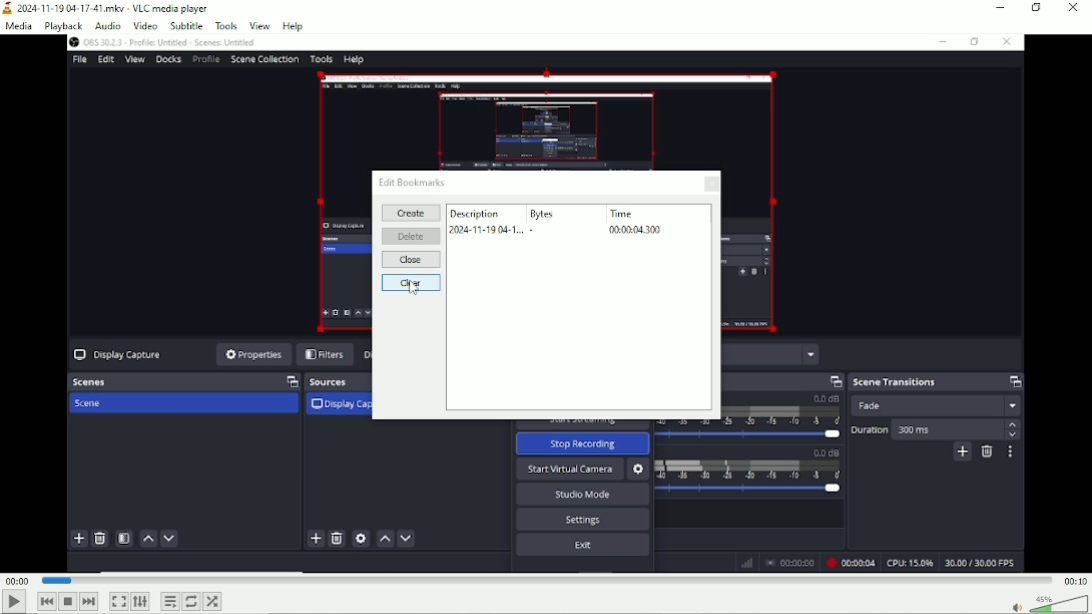  Describe the element at coordinates (412, 180) in the screenshot. I see `Edit bookmarks` at that location.